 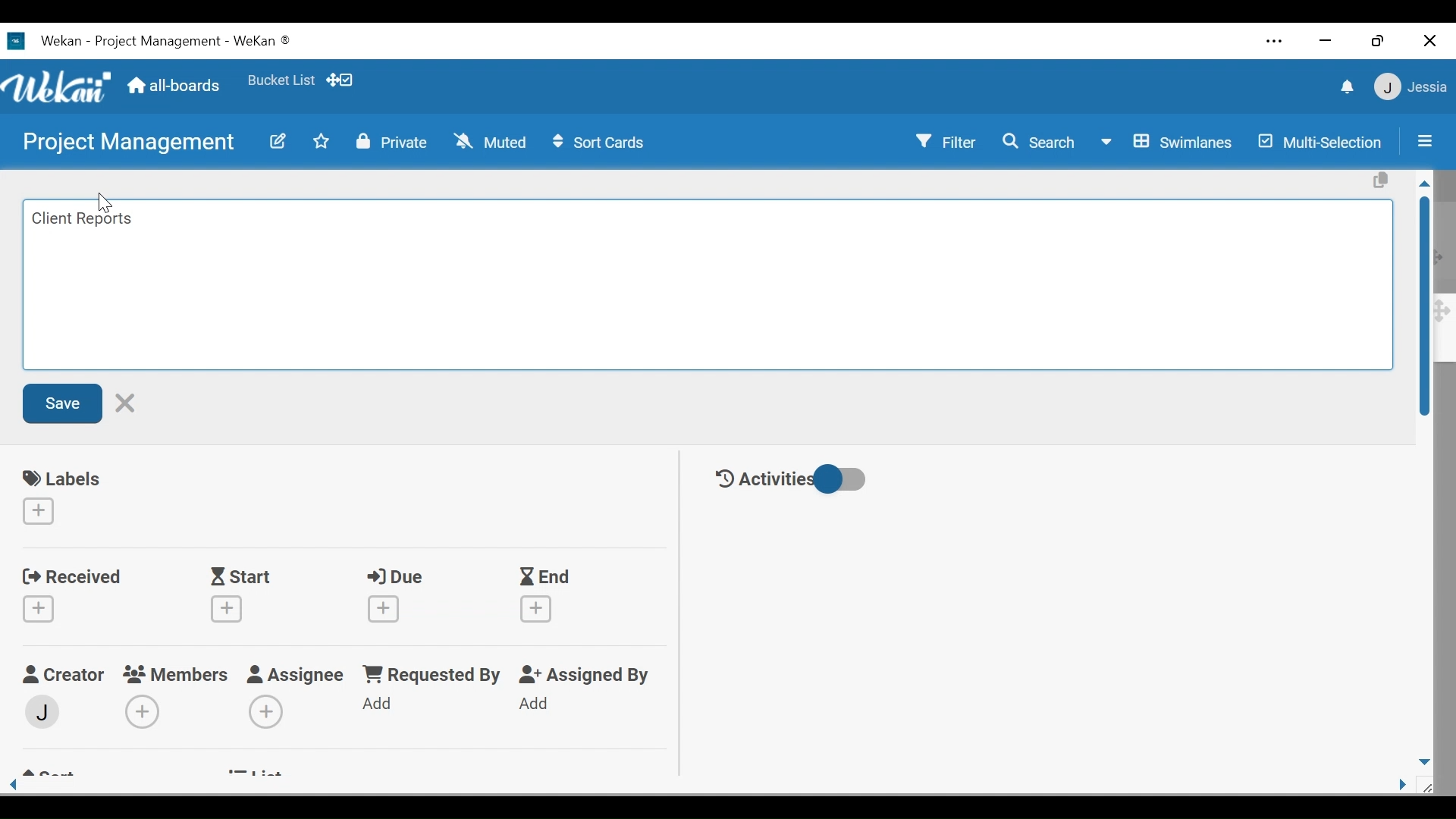 What do you see at coordinates (262, 42) in the screenshot?
I see `Wekan` at bounding box center [262, 42].